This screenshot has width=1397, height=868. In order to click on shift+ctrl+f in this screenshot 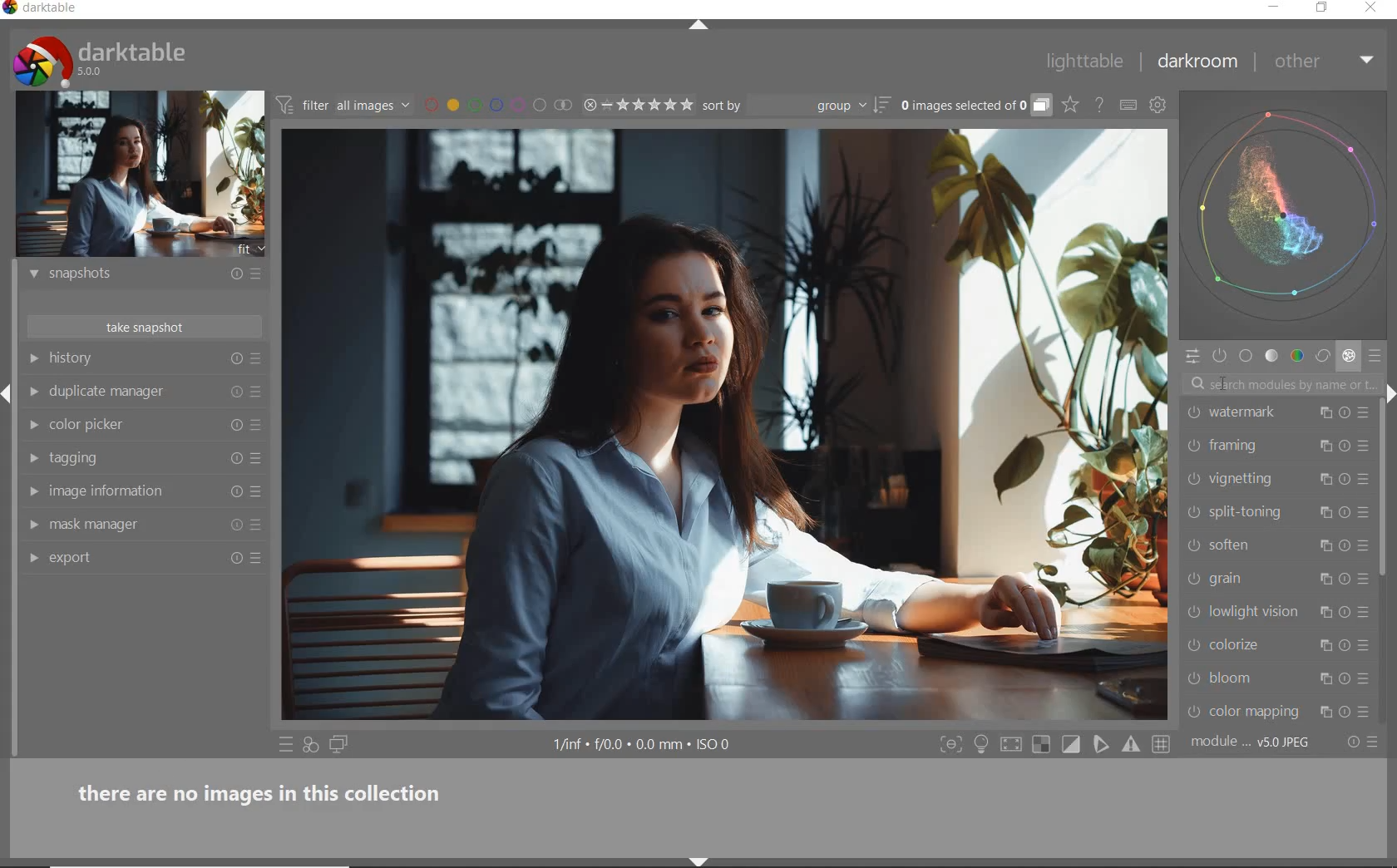, I will do `click(951, 745)`.